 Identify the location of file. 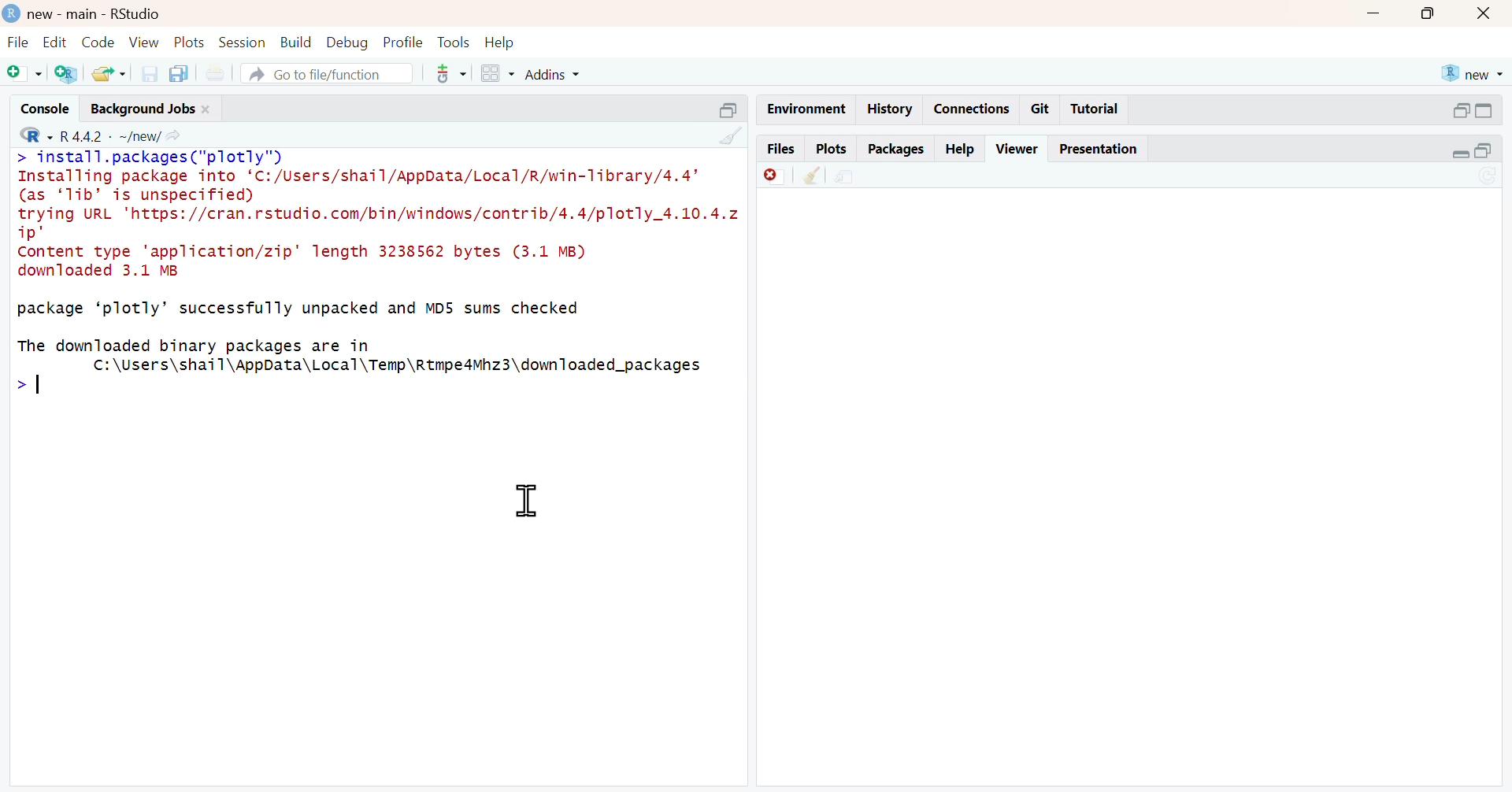
(16, 42).